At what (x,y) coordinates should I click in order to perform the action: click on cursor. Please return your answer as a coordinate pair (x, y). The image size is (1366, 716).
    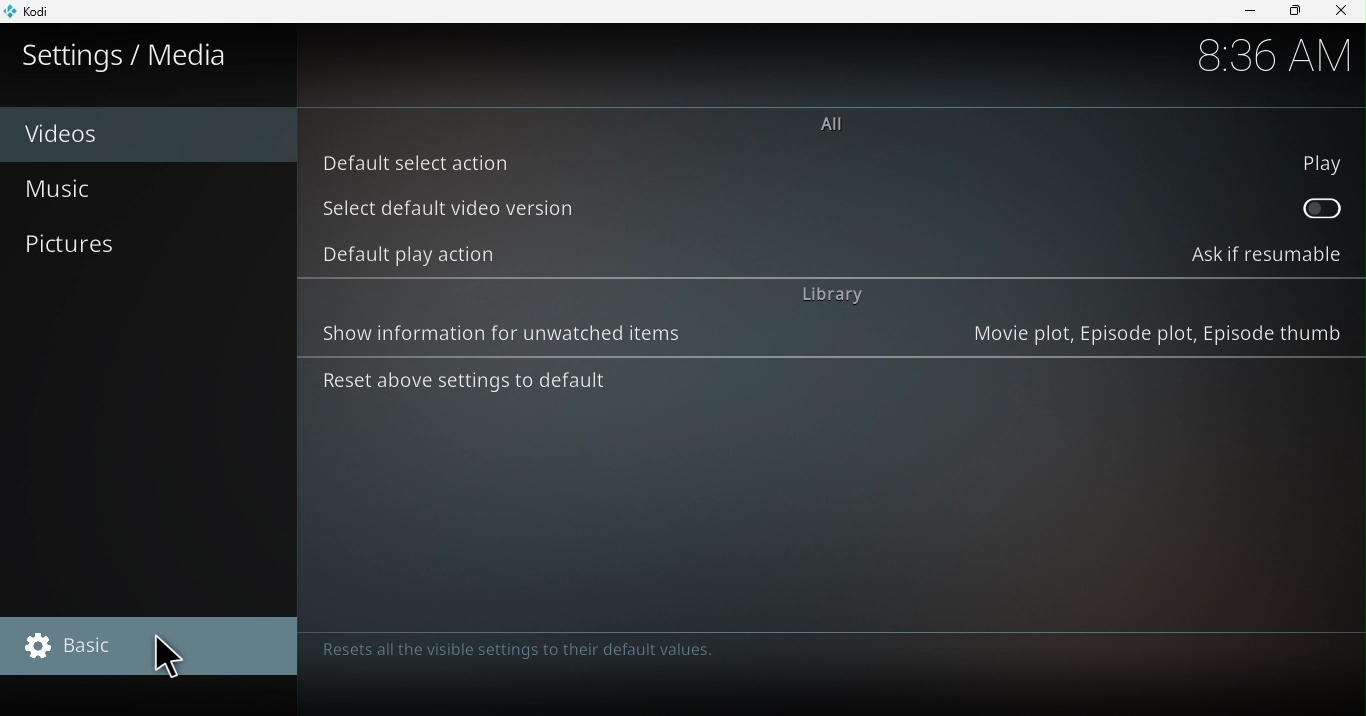
    Looking at the image, I should click on (170, 657).